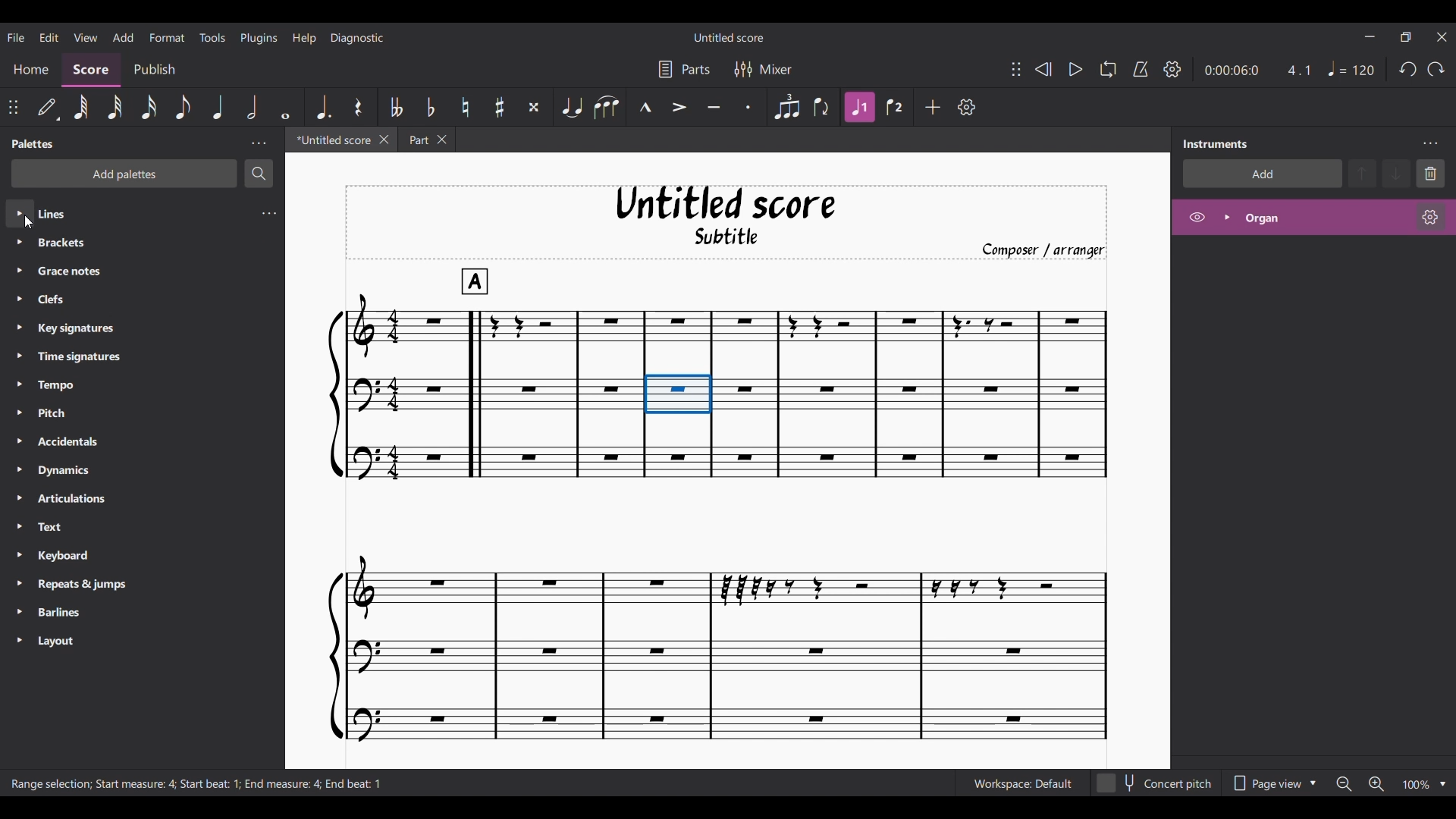 The width and height of the screenshot is (1456, 819). Describe the element at coordinates (426, 140) in the screenshot. I see `Earlier tab` at that location.